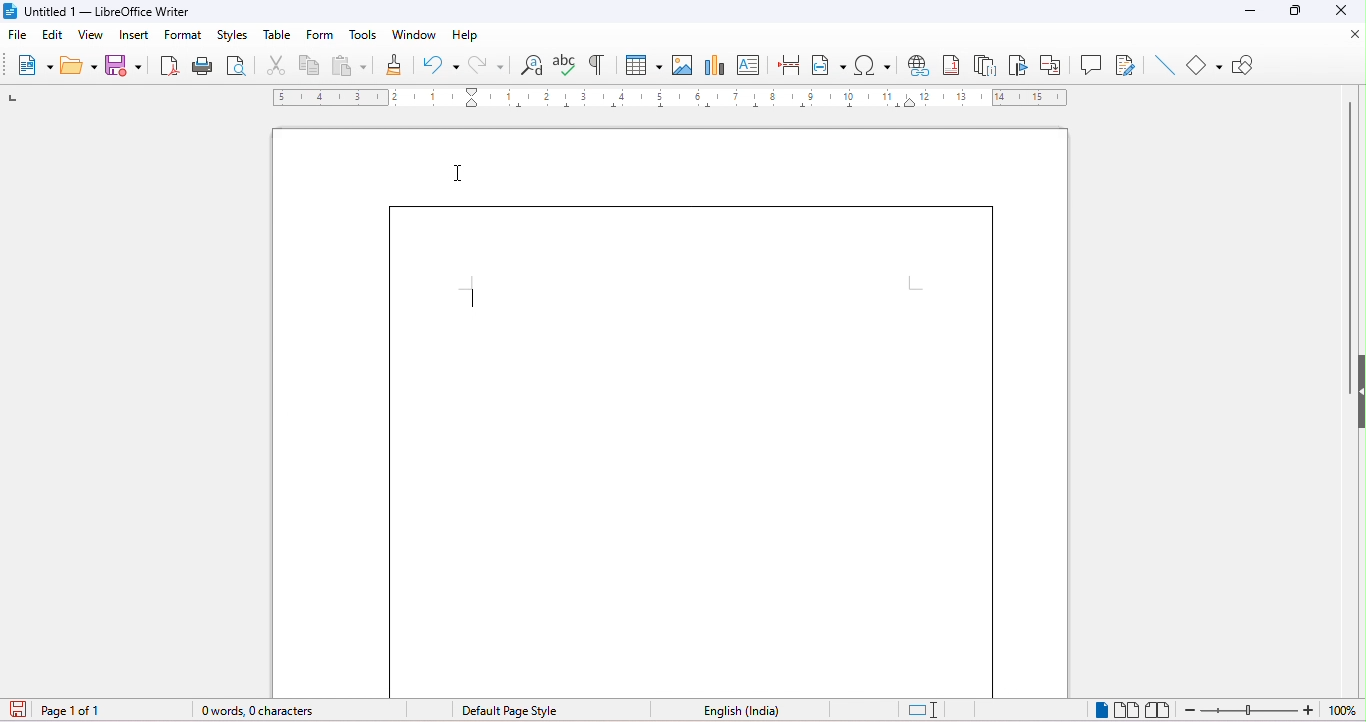 This screenshot has width=1366, height=722. Describe the element at coordinates (87, 34) in the screenshot. I see `` at that location.